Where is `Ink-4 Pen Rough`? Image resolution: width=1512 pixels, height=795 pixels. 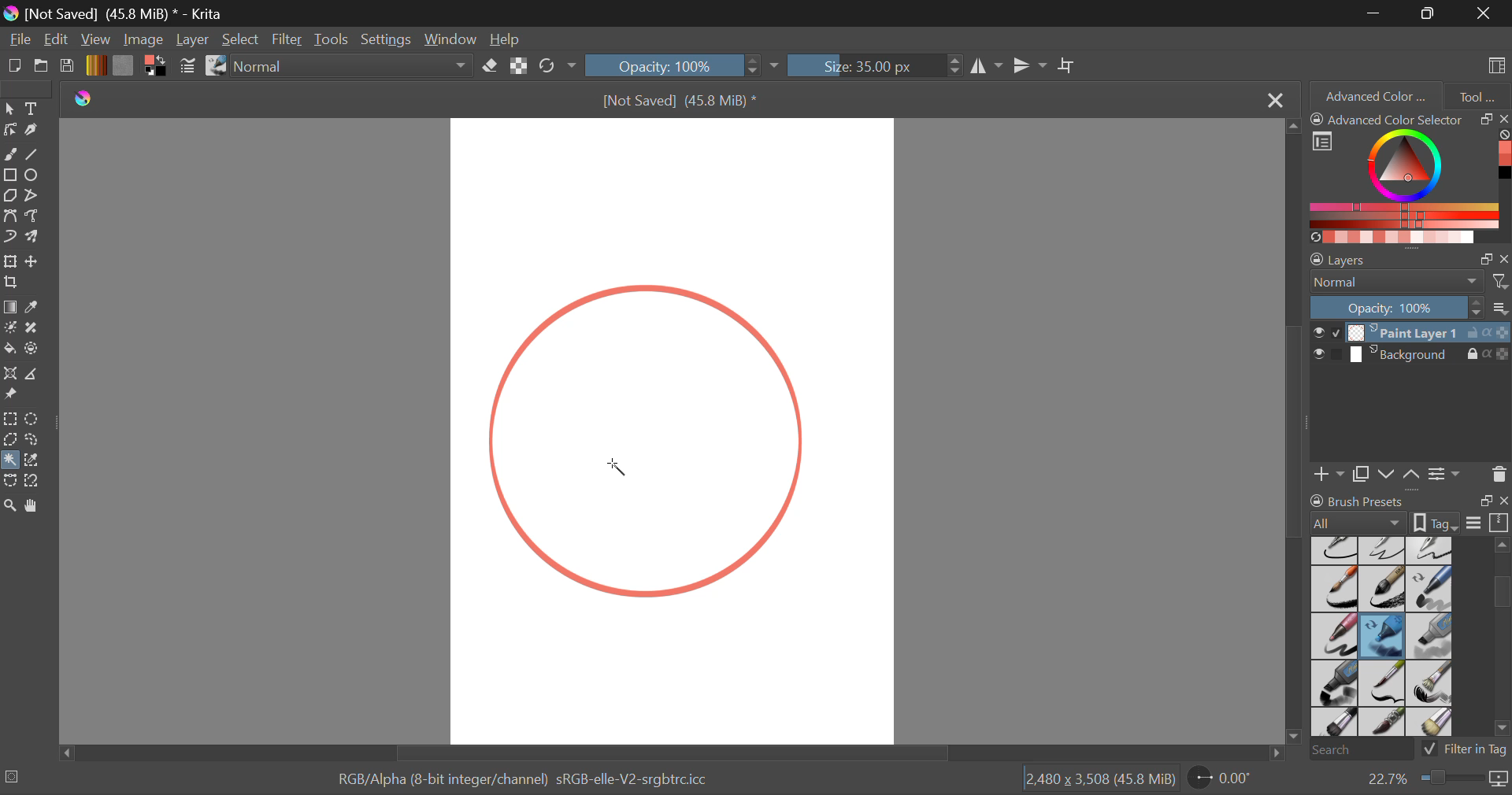 Ink-4 Pen Rough is located at coordinates (1430, 549).